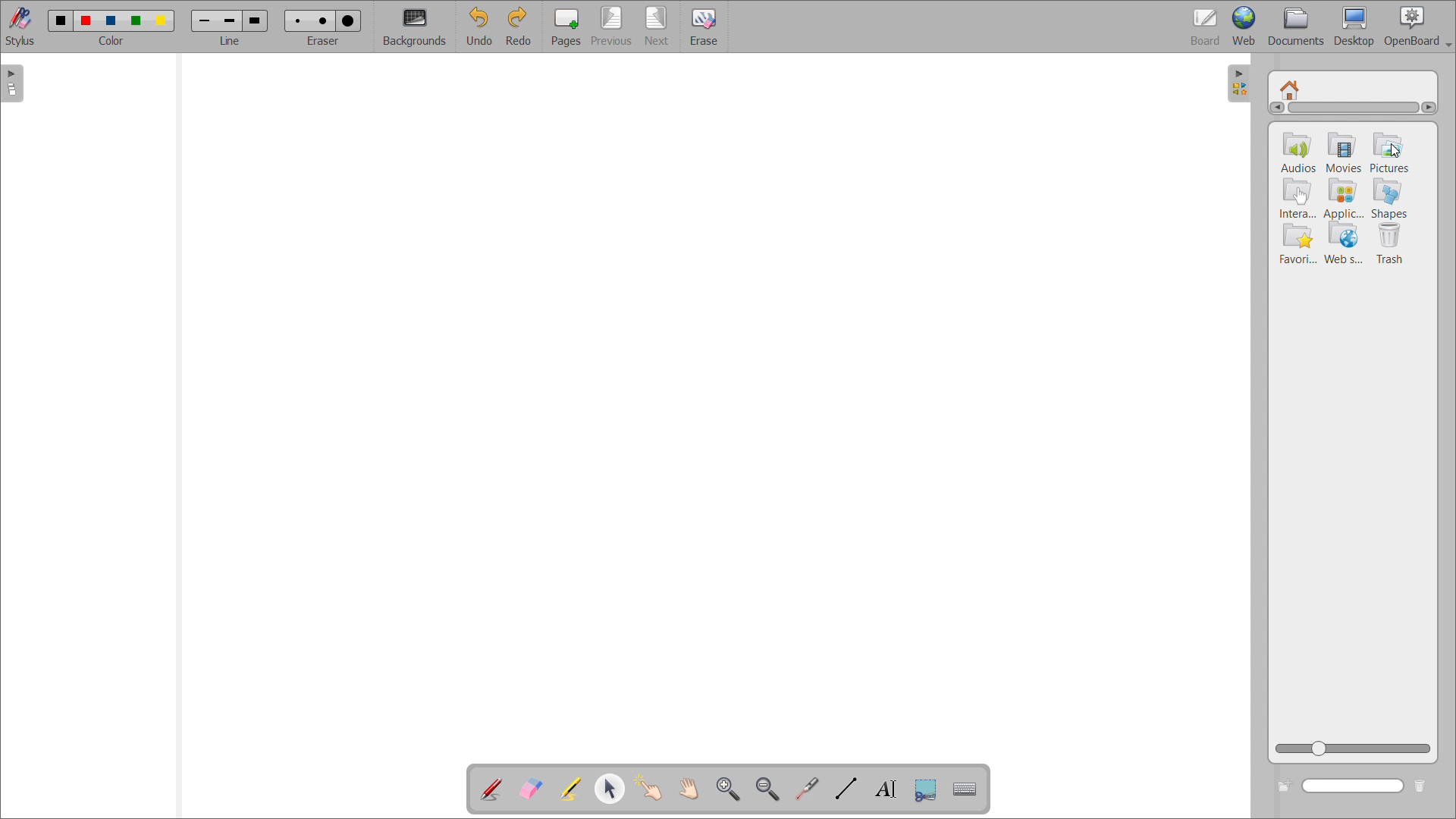 The width and height of the screenshot is (1456, 819). Describe the element at coordinates (11, 84) in the screenshot. I see `open pages view` at that location.